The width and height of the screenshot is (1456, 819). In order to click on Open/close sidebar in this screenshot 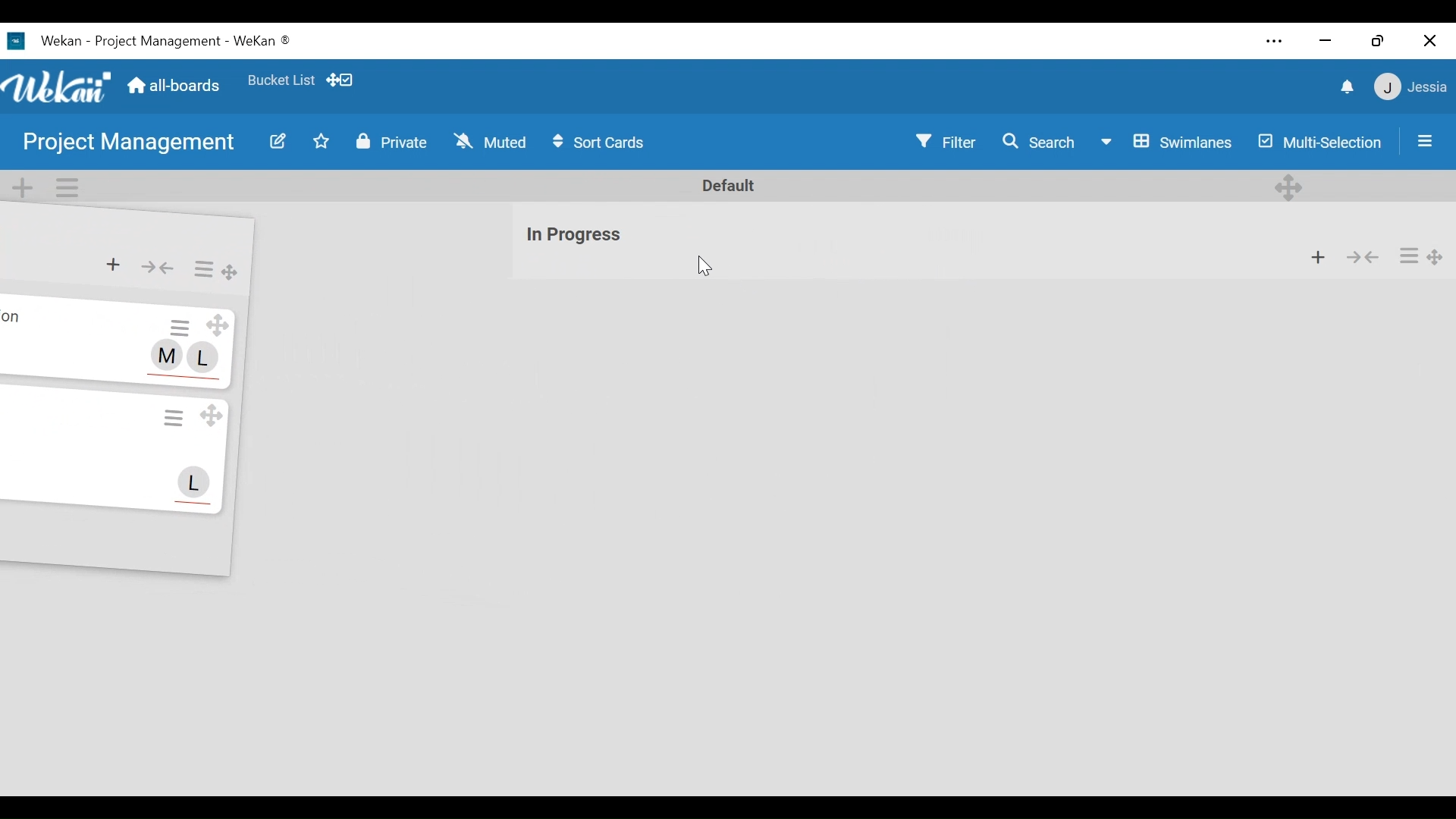, I will do `click(1425, 141)`.